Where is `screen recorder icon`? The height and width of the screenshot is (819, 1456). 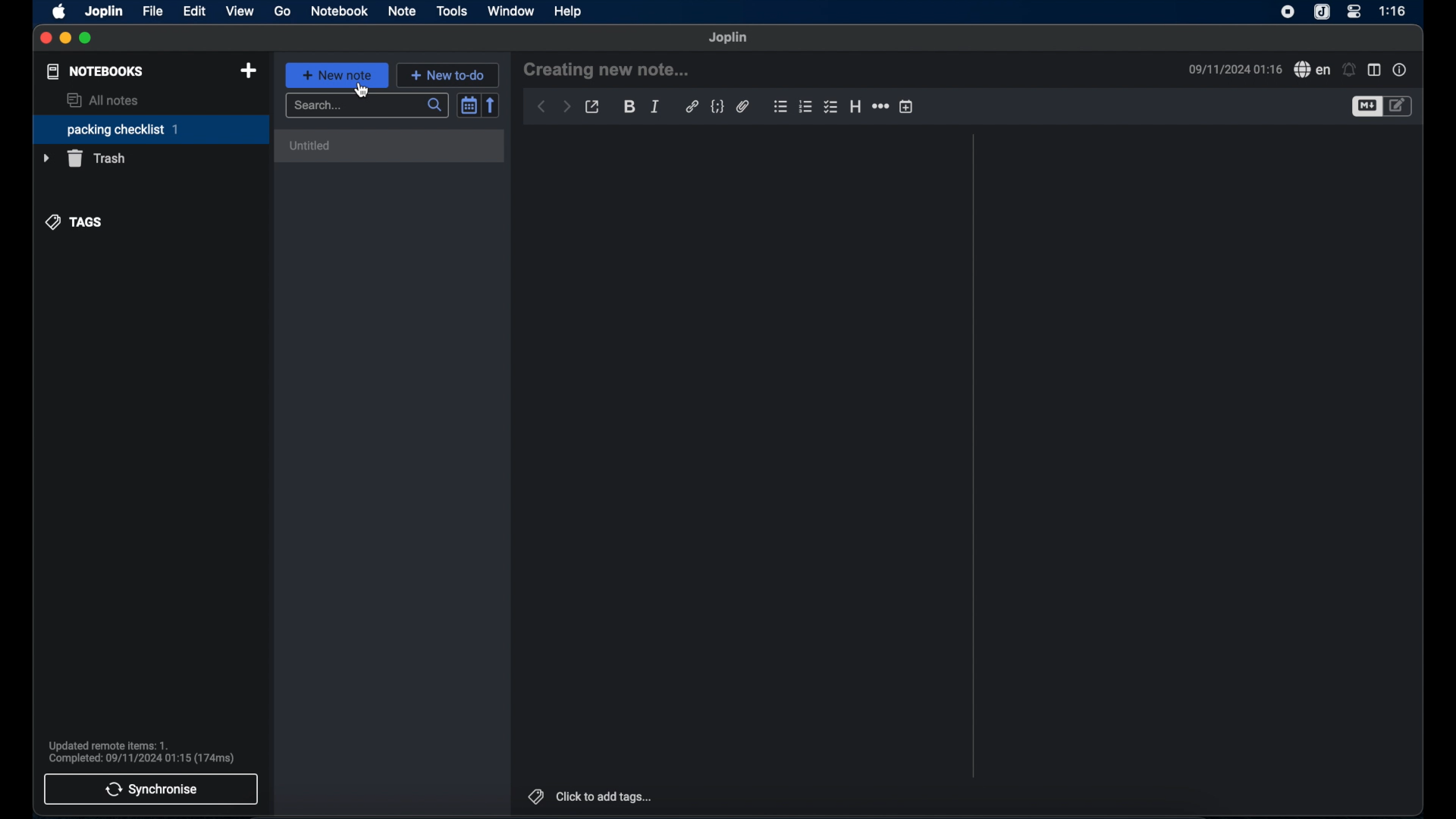 screen recorder icon is located at coordinates (1288, 13).